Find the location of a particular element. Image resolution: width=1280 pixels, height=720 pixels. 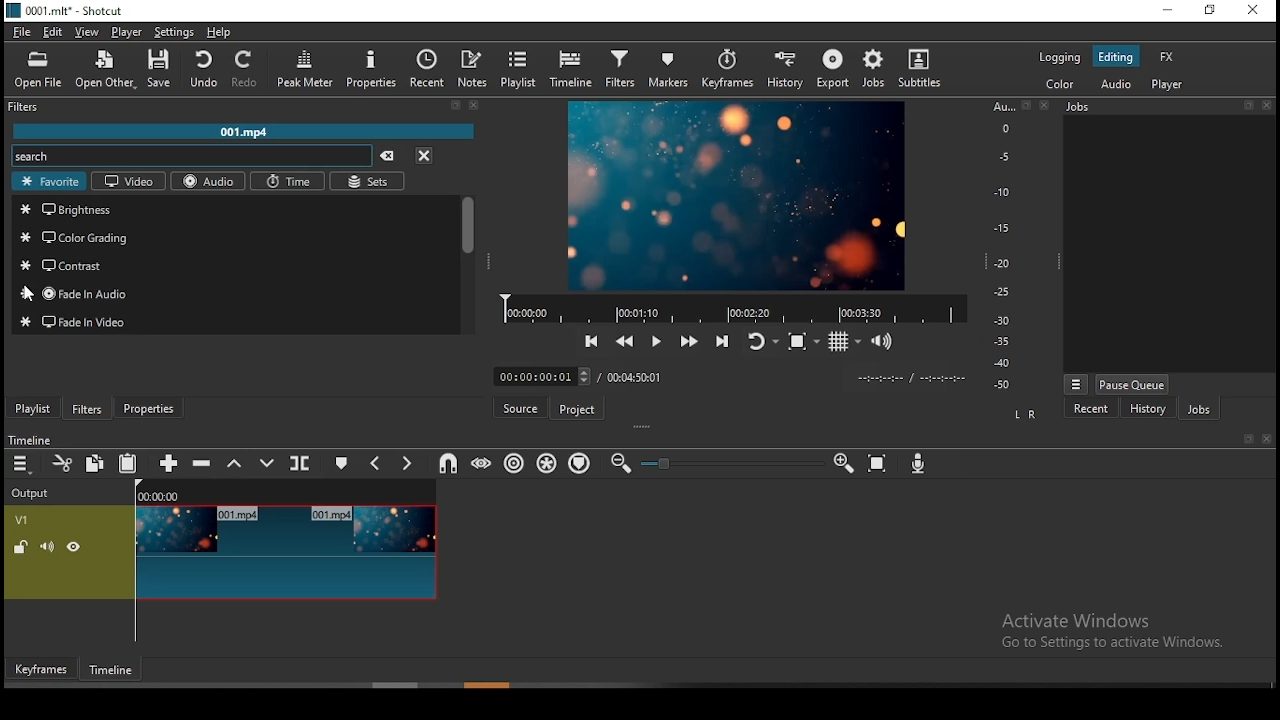

settings is located at coordinates (173, 33).